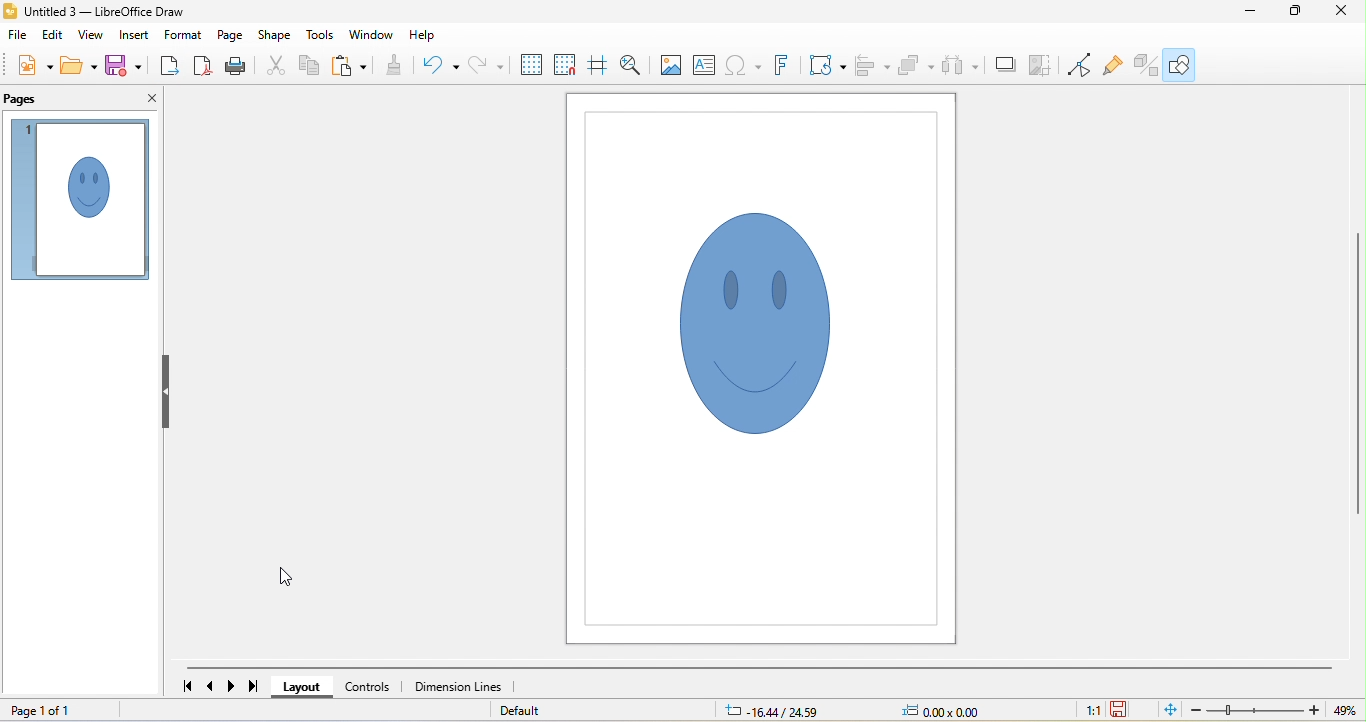 The width and height of the screenshot is (1366, 722). What do you see at coordinates (96, 11) in the screenshot?
I see `title` at bounding box center [96, 11].